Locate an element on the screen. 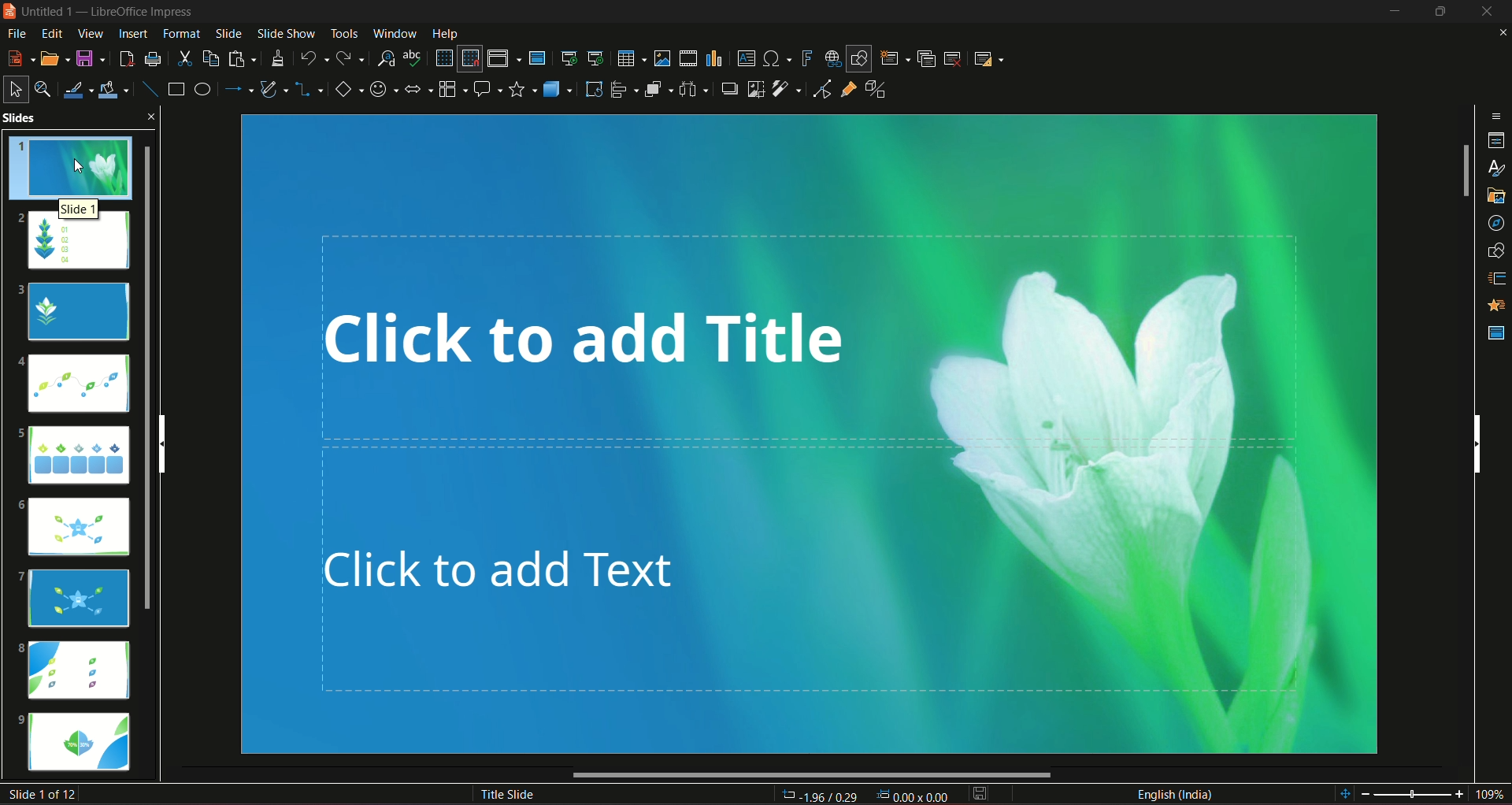 This screenshot has width=1512, height=805. redo is located at coordinates (352, 57).